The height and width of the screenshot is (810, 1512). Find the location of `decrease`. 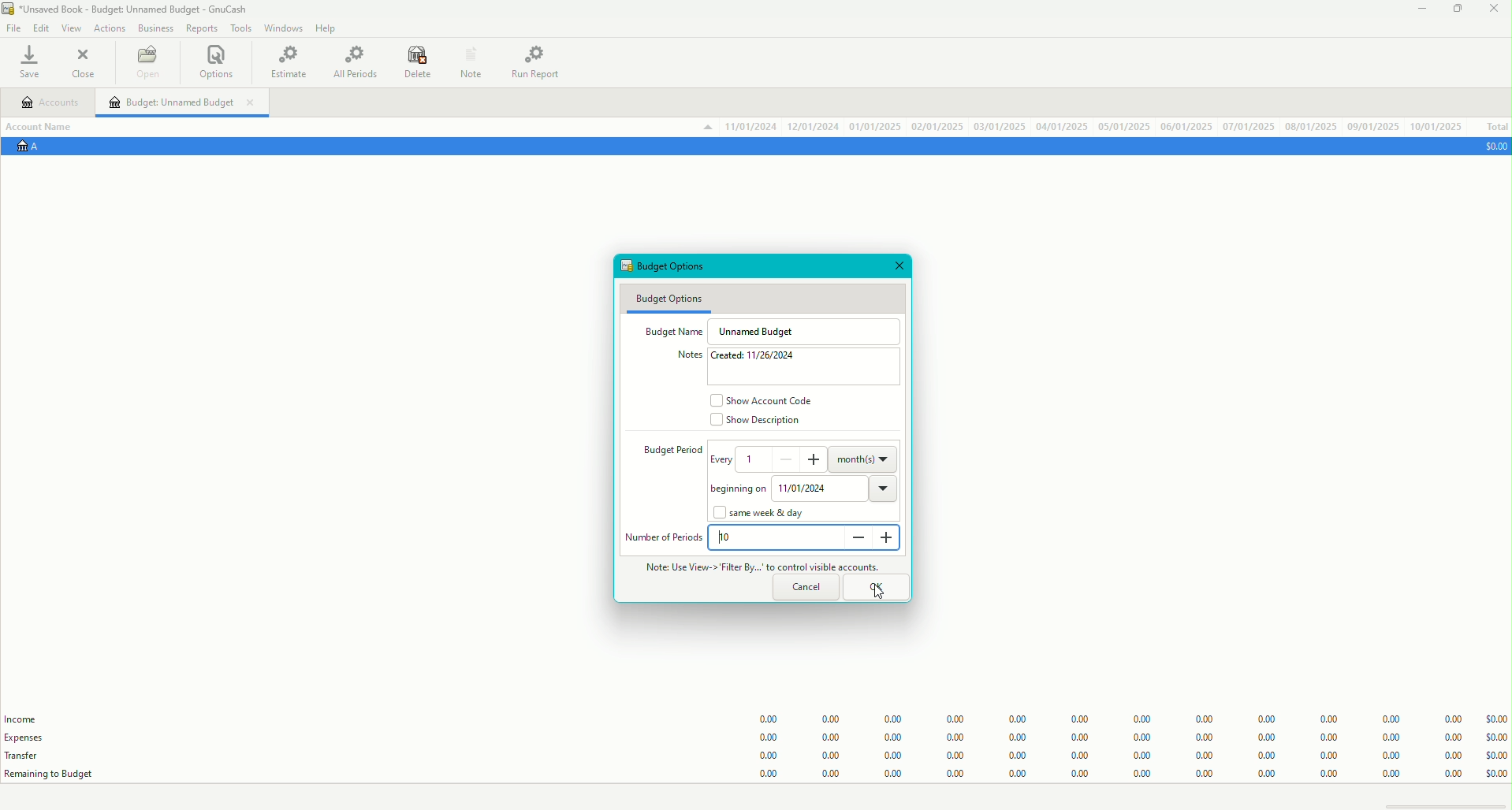

decrease is located at coordinates (784, 461).